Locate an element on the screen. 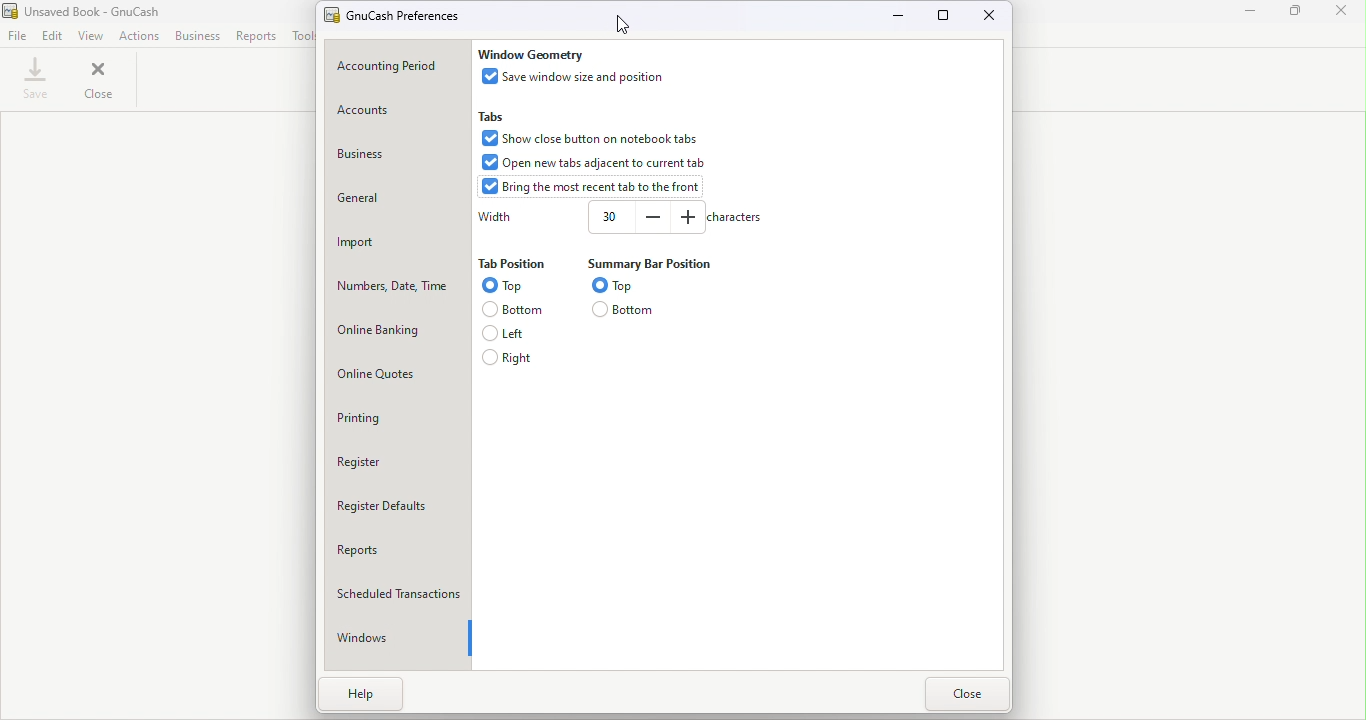  Save is located at coordinates (37, 79).